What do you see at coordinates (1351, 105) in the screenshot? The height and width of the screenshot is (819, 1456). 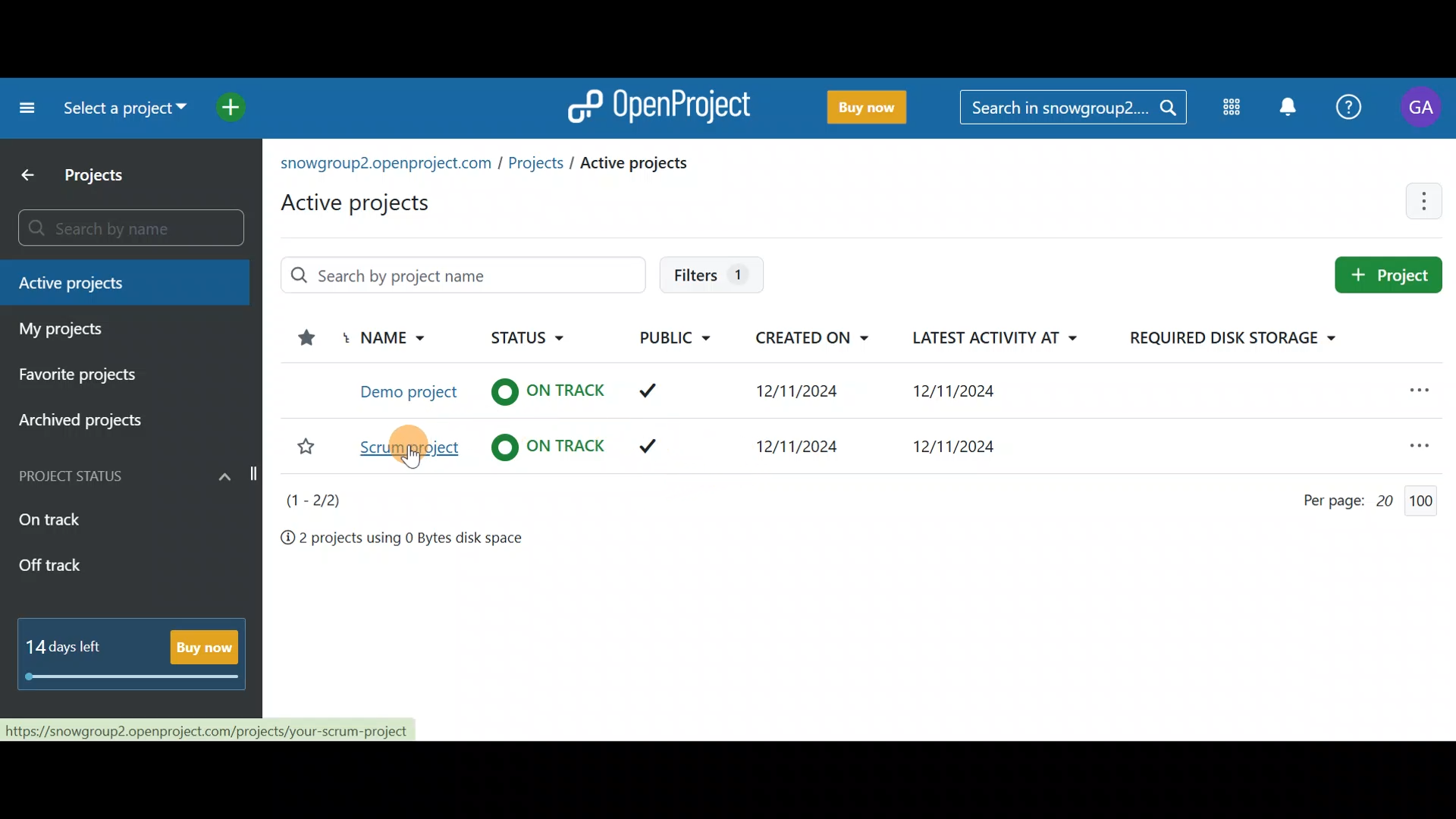 I see `Help` at bounding box center [1351, 105].